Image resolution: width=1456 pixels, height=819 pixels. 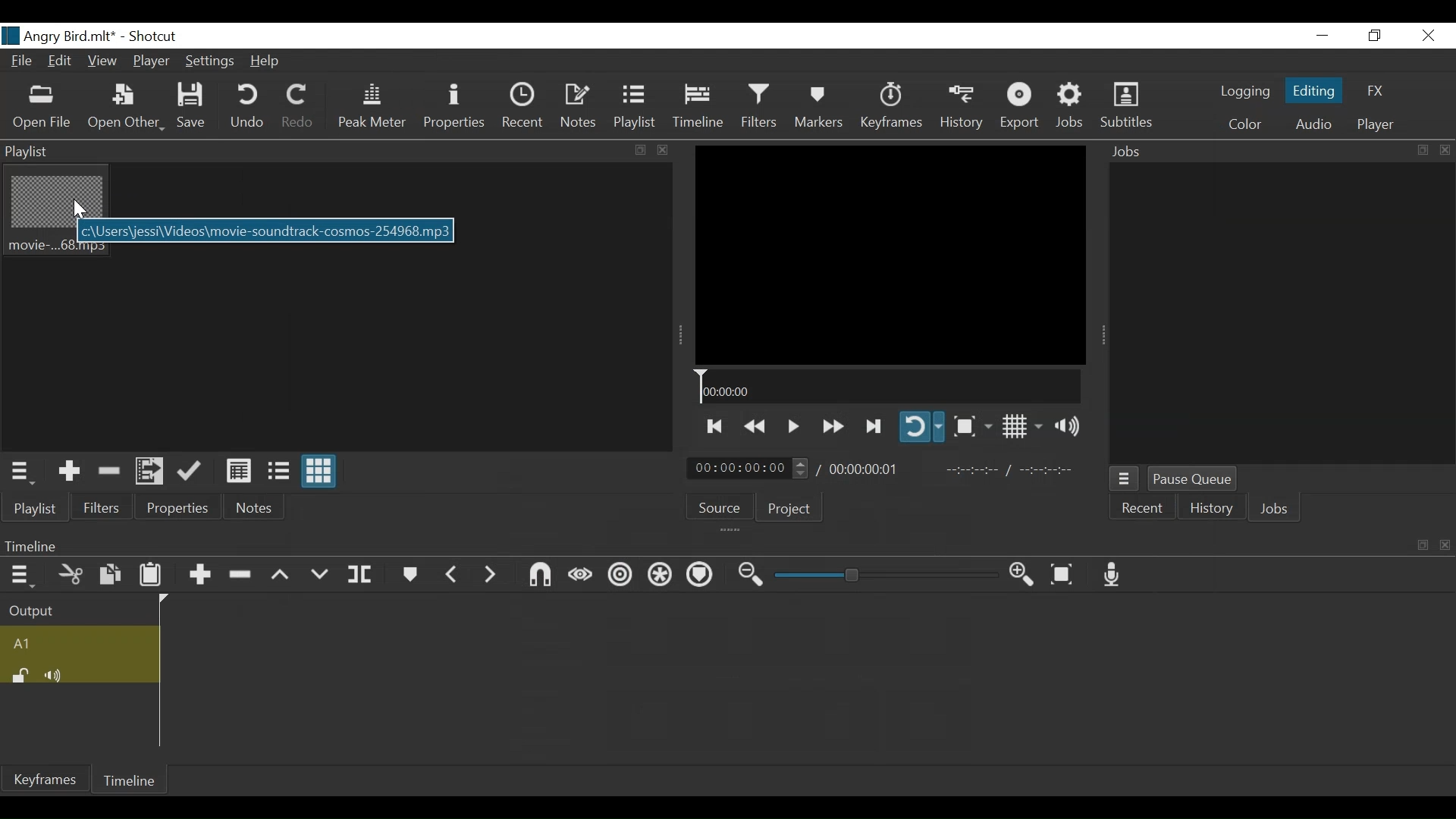 What do you see at coordinates (175, 507) in the screenshot?
I see `Properties` at bounding box center [175, 507].